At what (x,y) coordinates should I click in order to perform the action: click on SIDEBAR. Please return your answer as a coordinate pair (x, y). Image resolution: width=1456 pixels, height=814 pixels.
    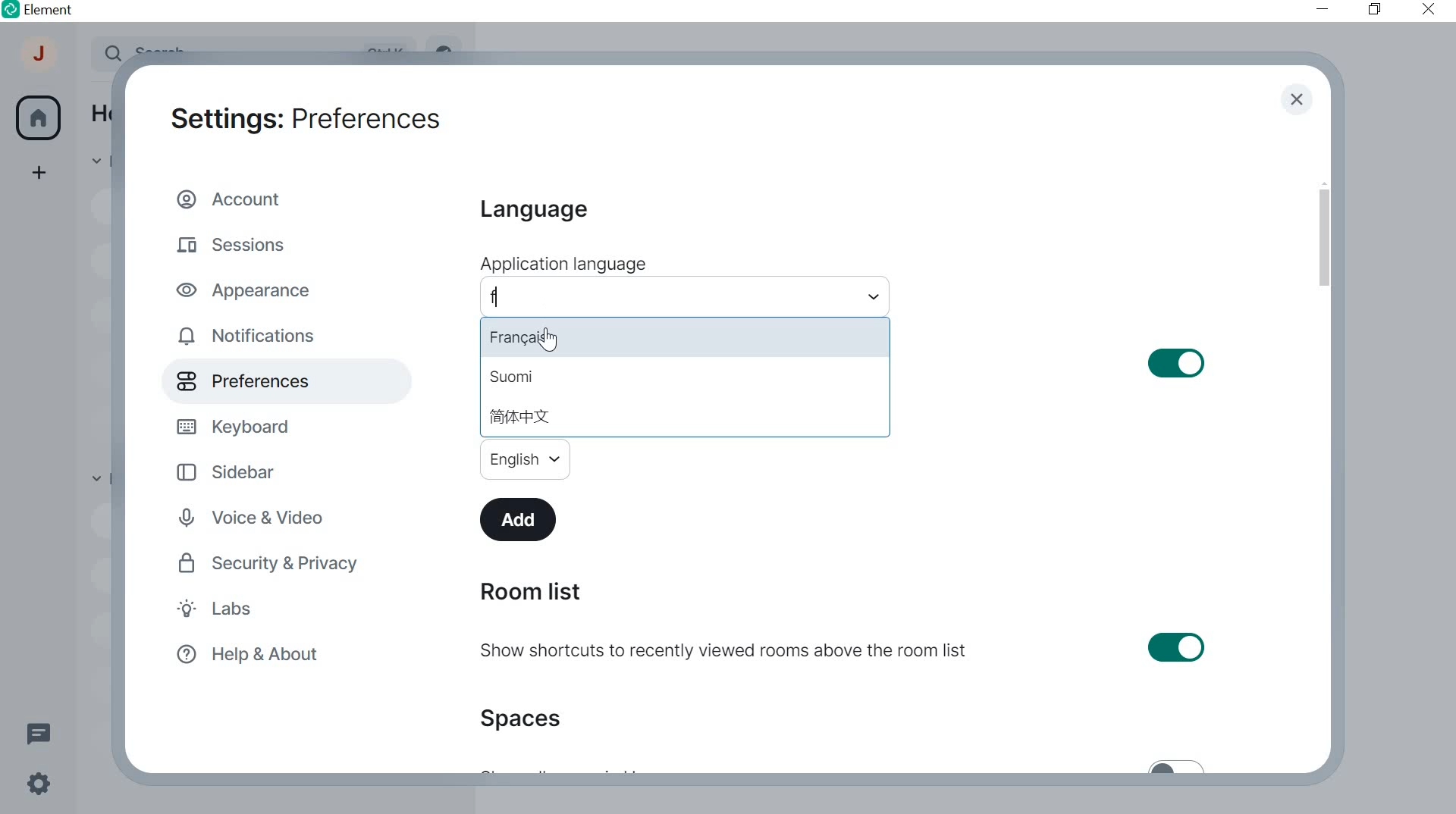
    Looking at the image, I should click on (238, 471).